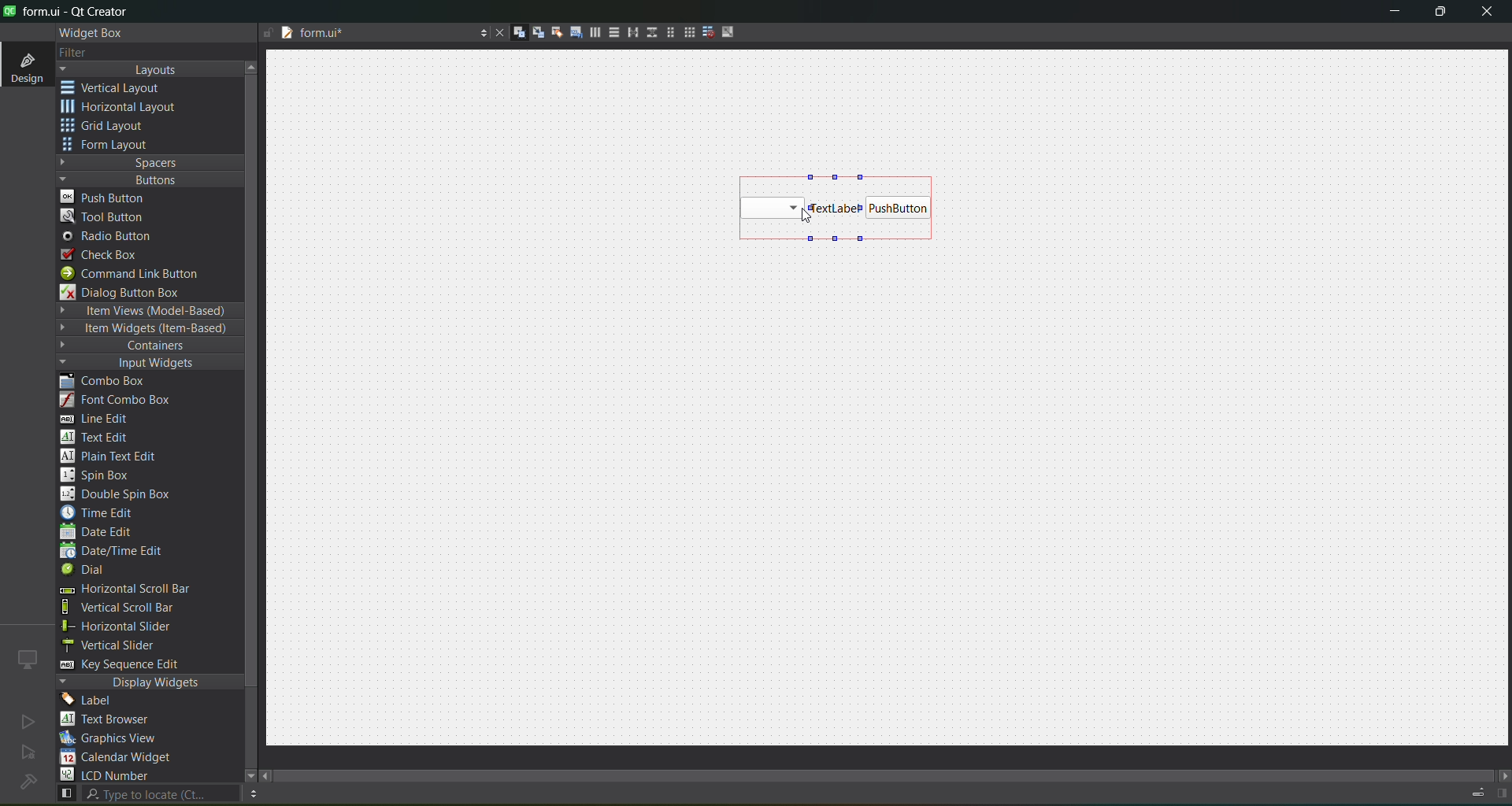 The width and height of the screenshot is (1512, 806). What do you see at coordinates (135, 608) in the screenshot?
I see `vertical scroll bar` at bounding box center [135, 608].